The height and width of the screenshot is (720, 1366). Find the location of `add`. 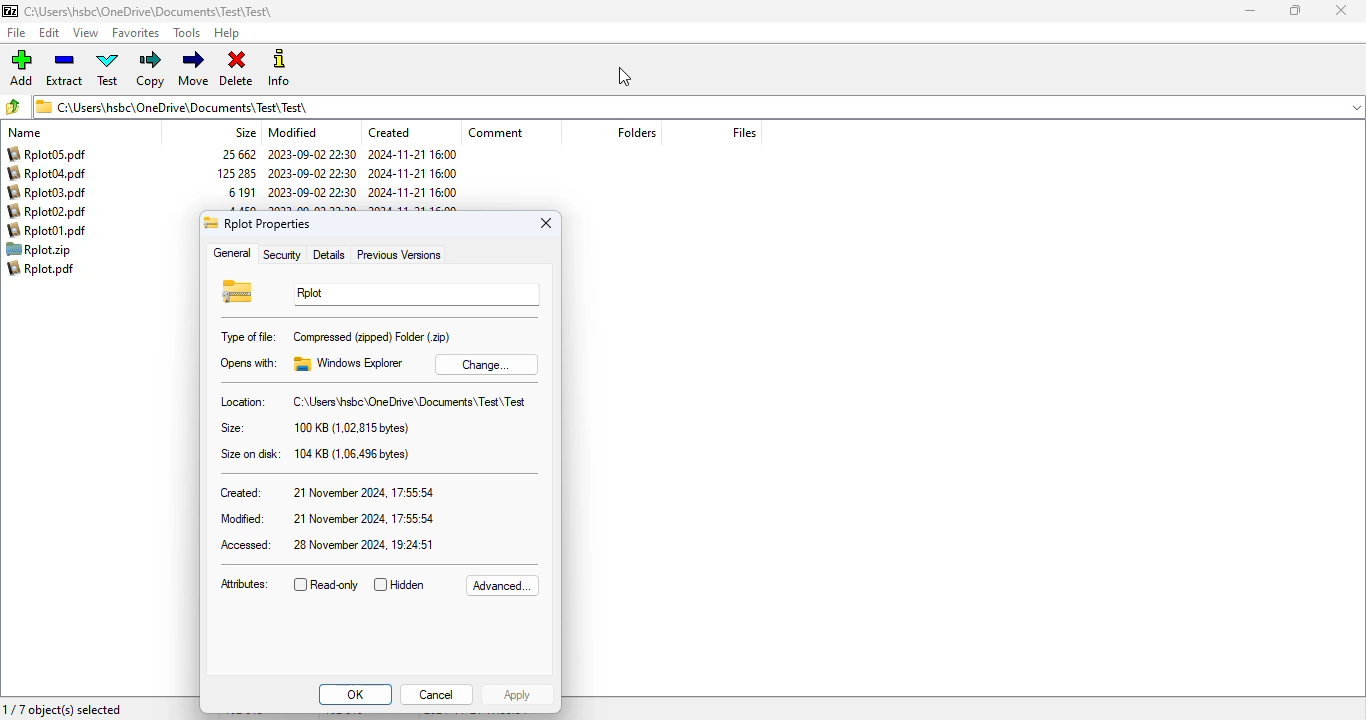

add is located at coordinates (22, 67).